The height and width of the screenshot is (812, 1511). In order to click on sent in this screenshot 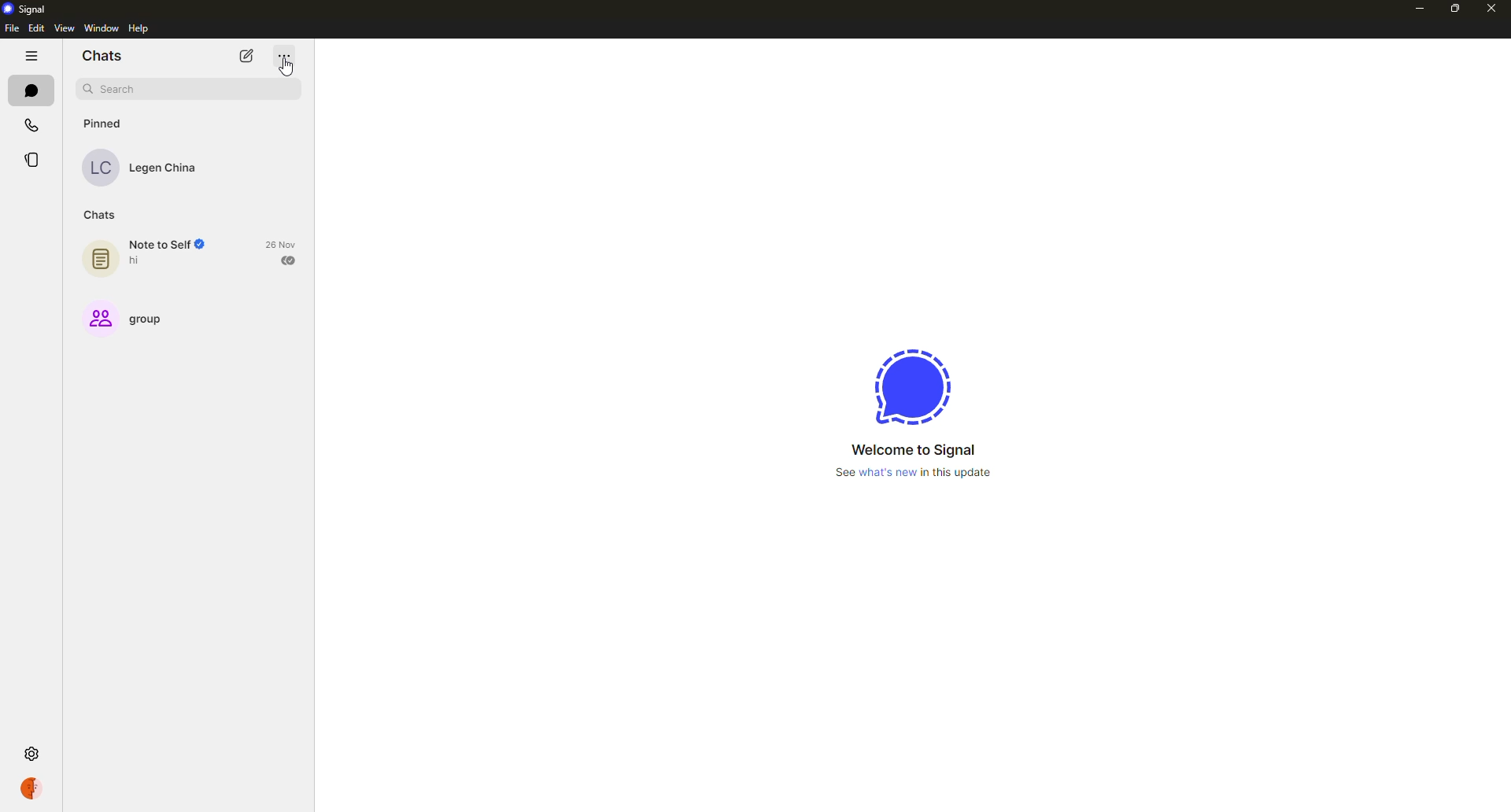, I will do `click(288, 261)`.